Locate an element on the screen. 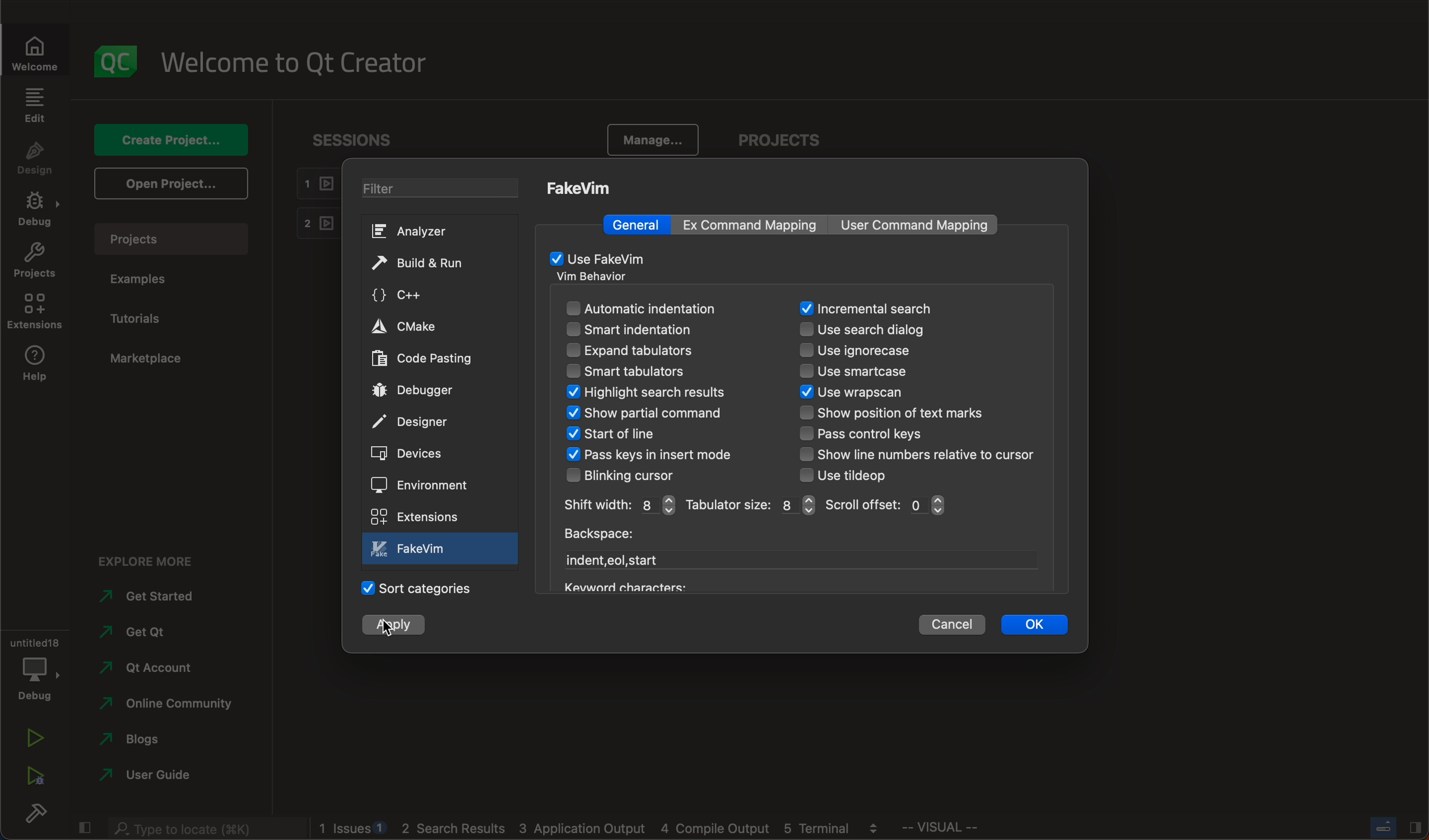 Image resolution: width=1429 pixels, height=840 pixels. cursor is located at coordinates (387, 628).